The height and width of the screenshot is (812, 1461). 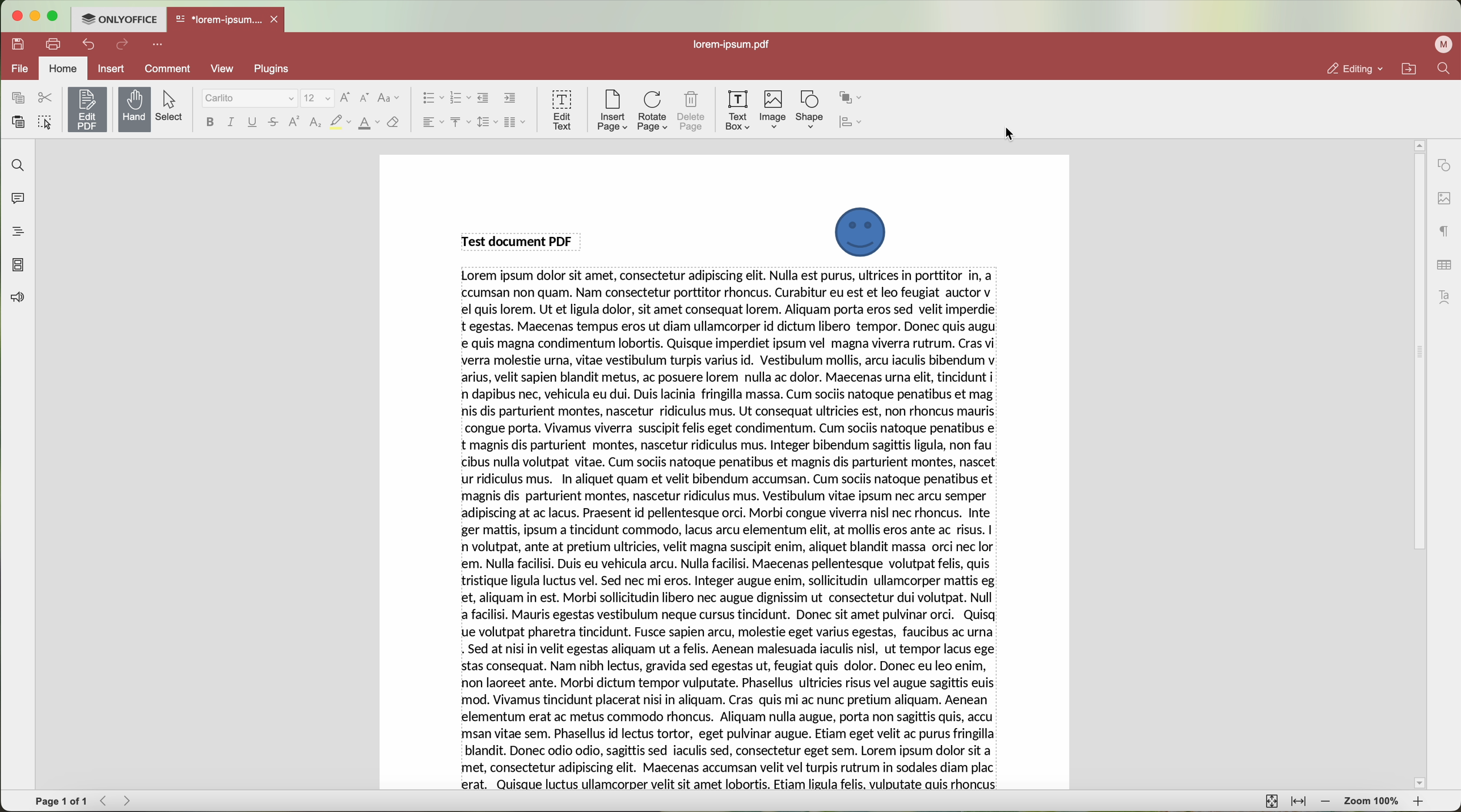 What do you see at coordinates (561, 109) in the screenshot?
I see `edit text` at bounding box center [561, 109].